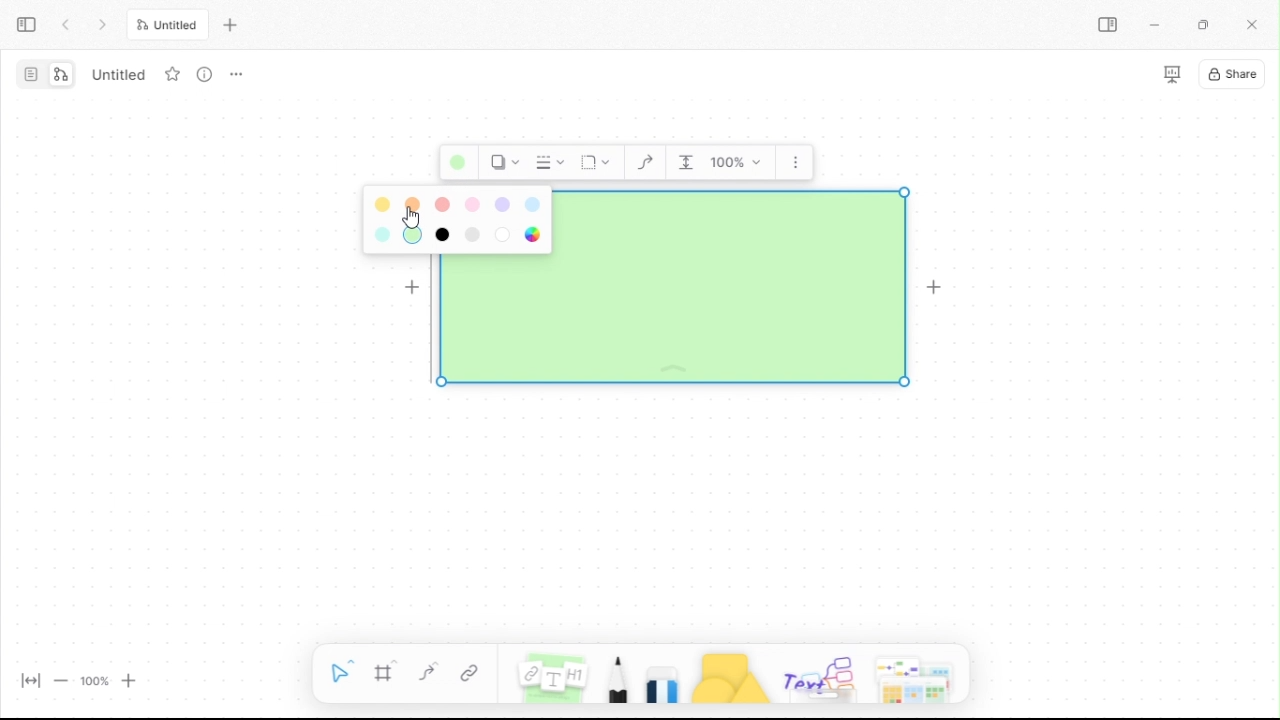 Image resolution: width=1280 pixels, height=720 pixels. What do you see at coordinates (1110, 26) in the screenshot?
I see `sidebar` at bounding box center [1110, 26].